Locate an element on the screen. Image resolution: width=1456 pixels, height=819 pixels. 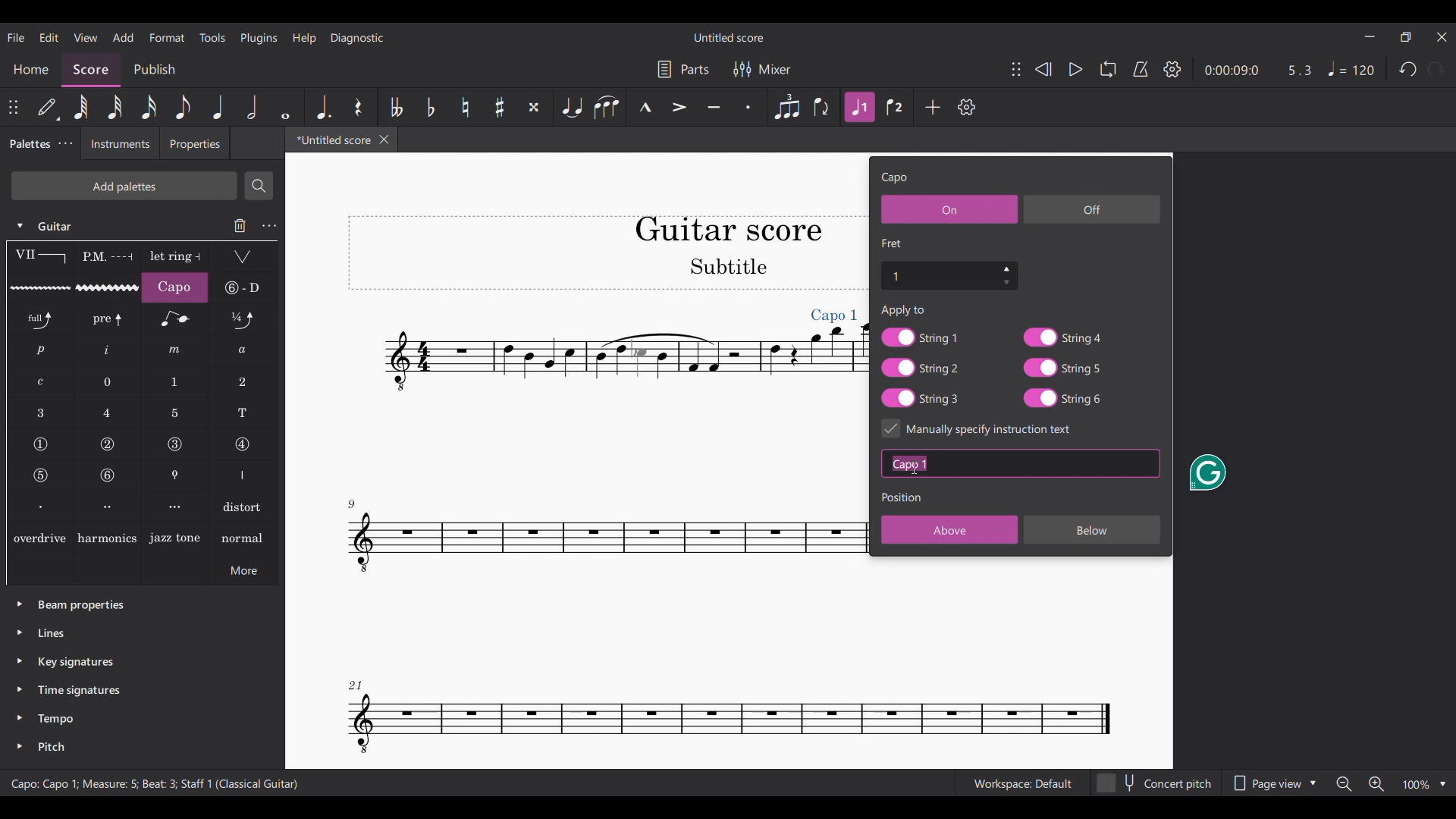
Flip direction is located at coordinates (823, 107).